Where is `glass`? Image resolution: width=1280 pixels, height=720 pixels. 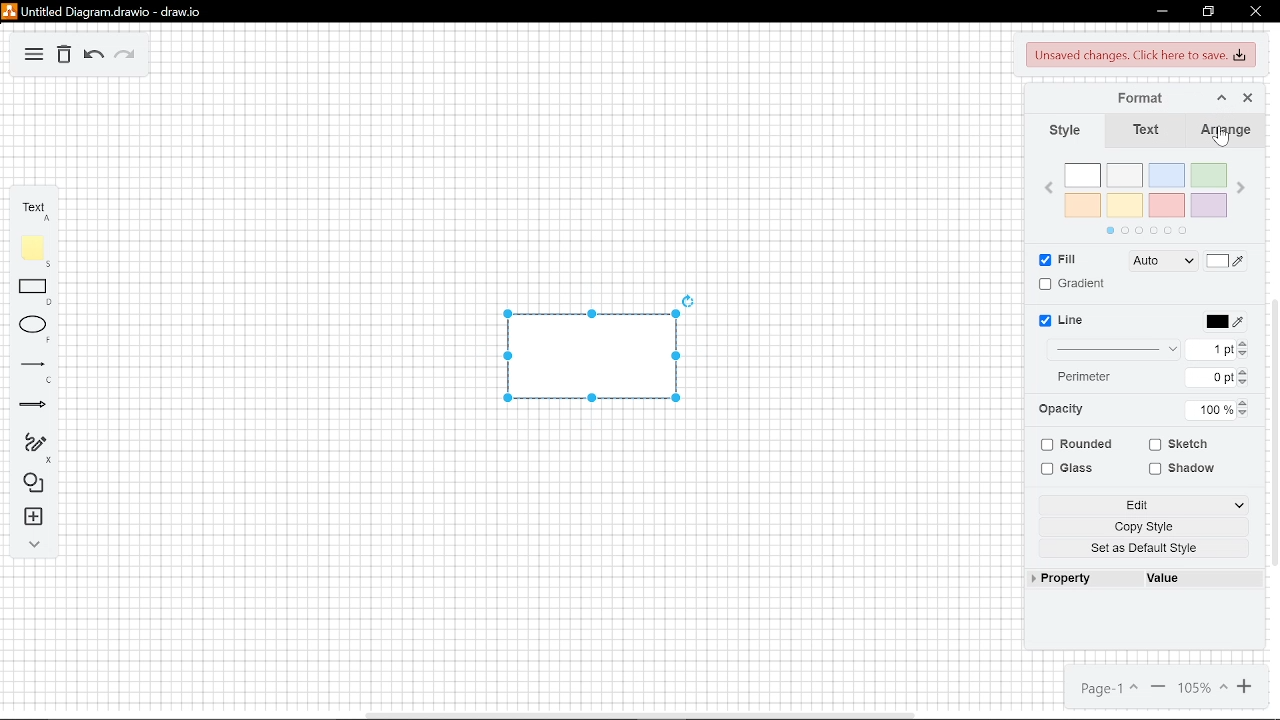
glass is located at coordinates (1068, 469).